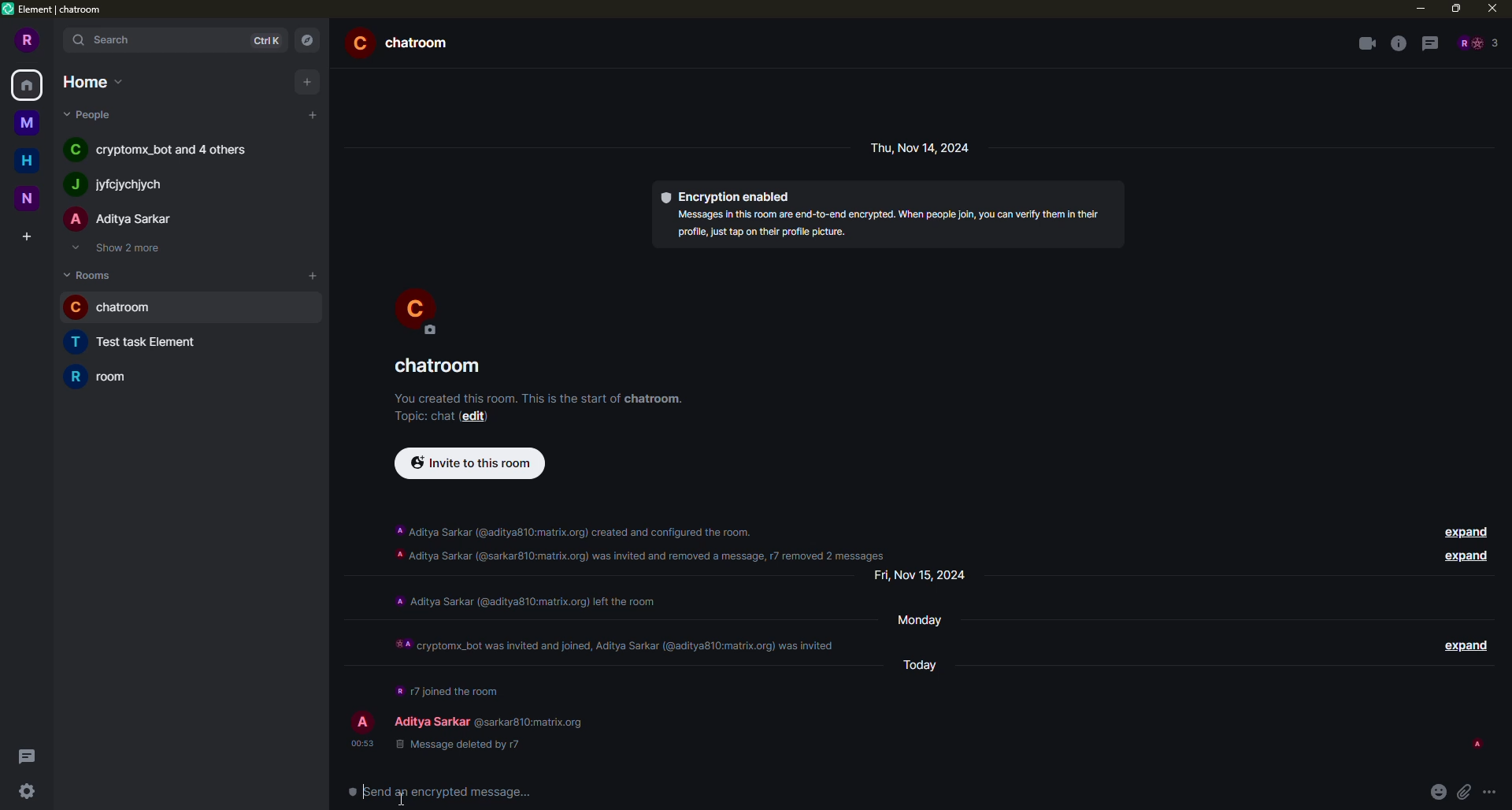 The image size is (1512, 810). What do you see at coordinates (1494, 793) in the screenshot?
I see `more` at bounding box center [1494, 793].